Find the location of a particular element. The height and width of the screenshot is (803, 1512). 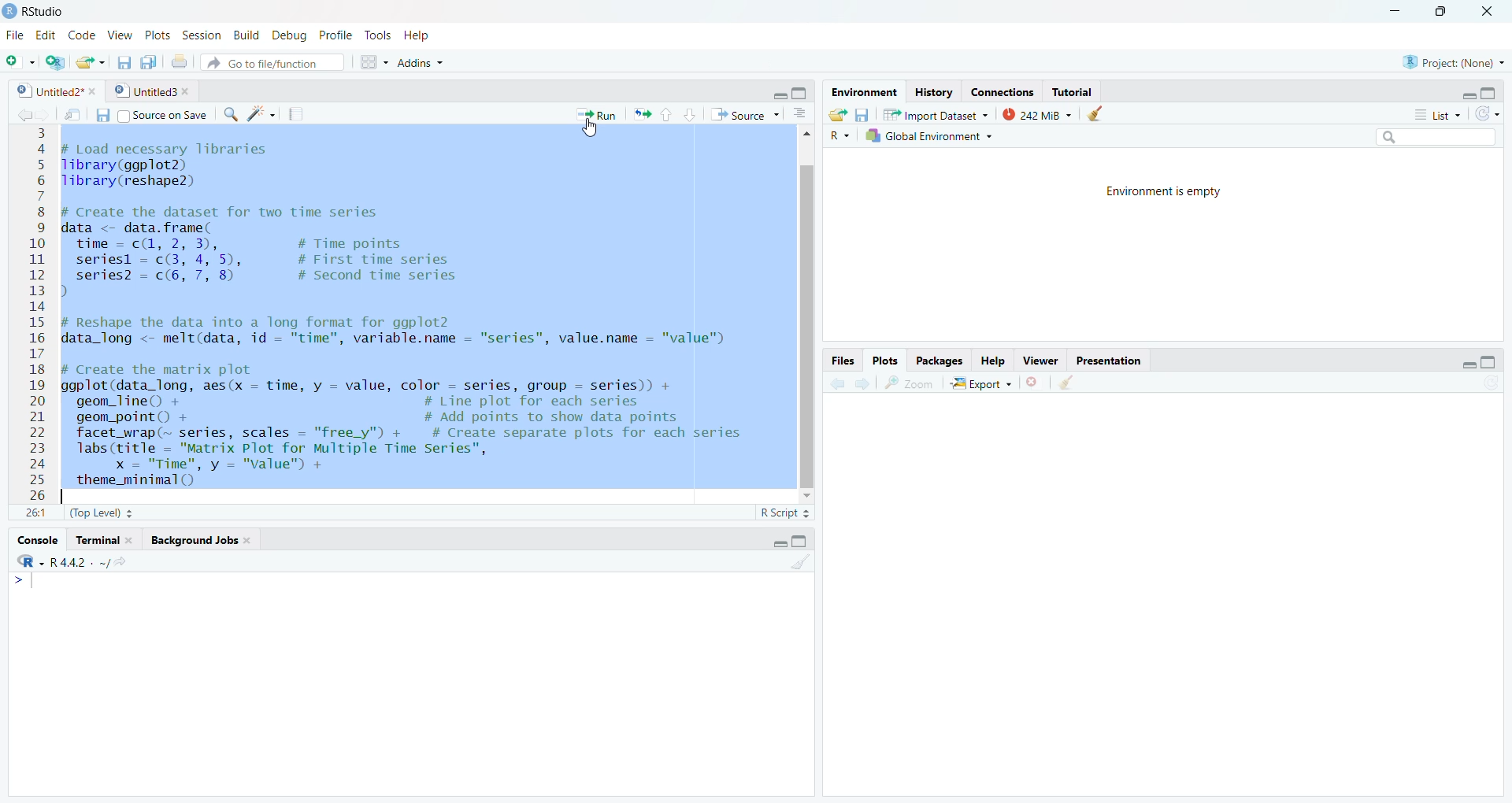

re -run previoud code is located at coordinates (642, 113).